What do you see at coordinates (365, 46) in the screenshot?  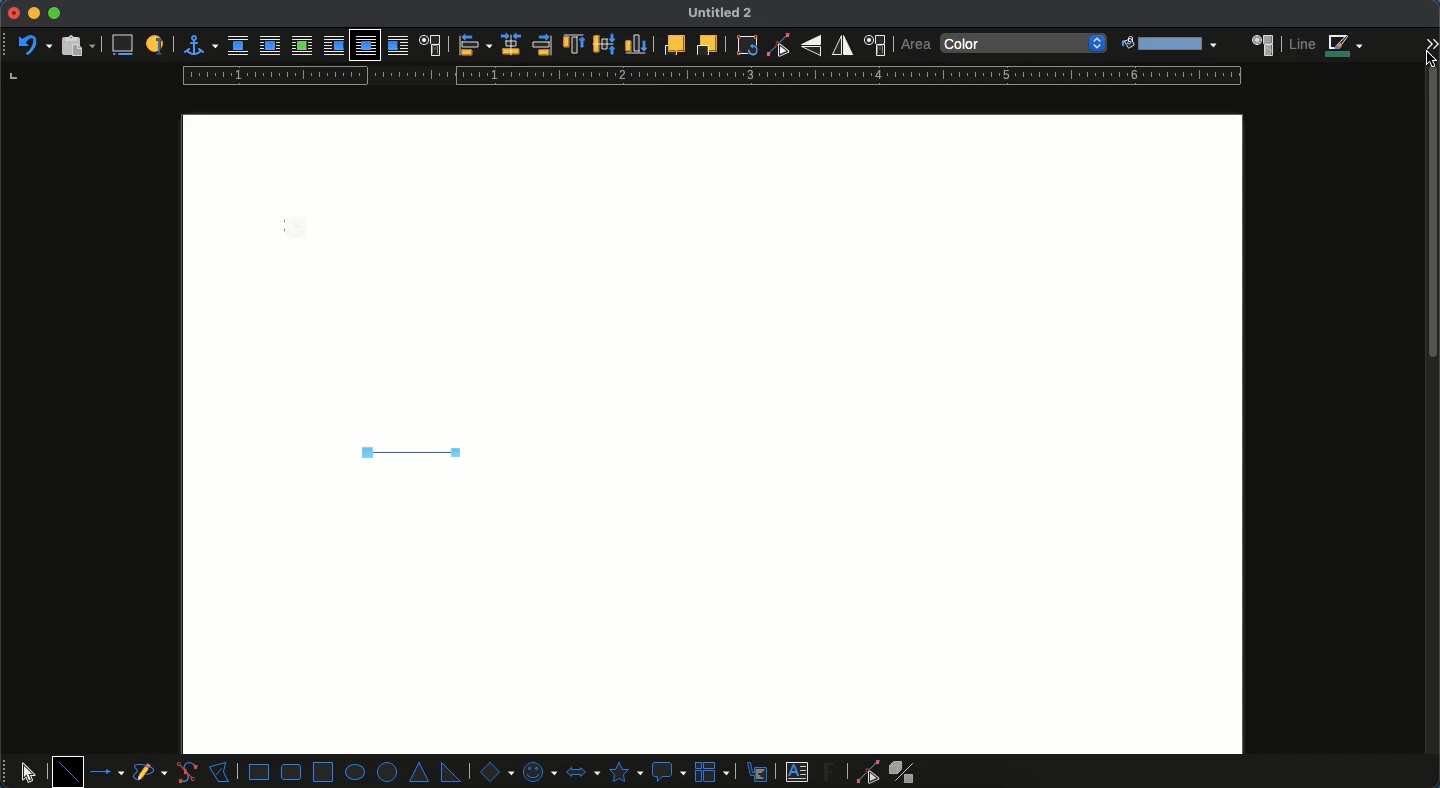 I see `through ` at bounding box center [365, 46].